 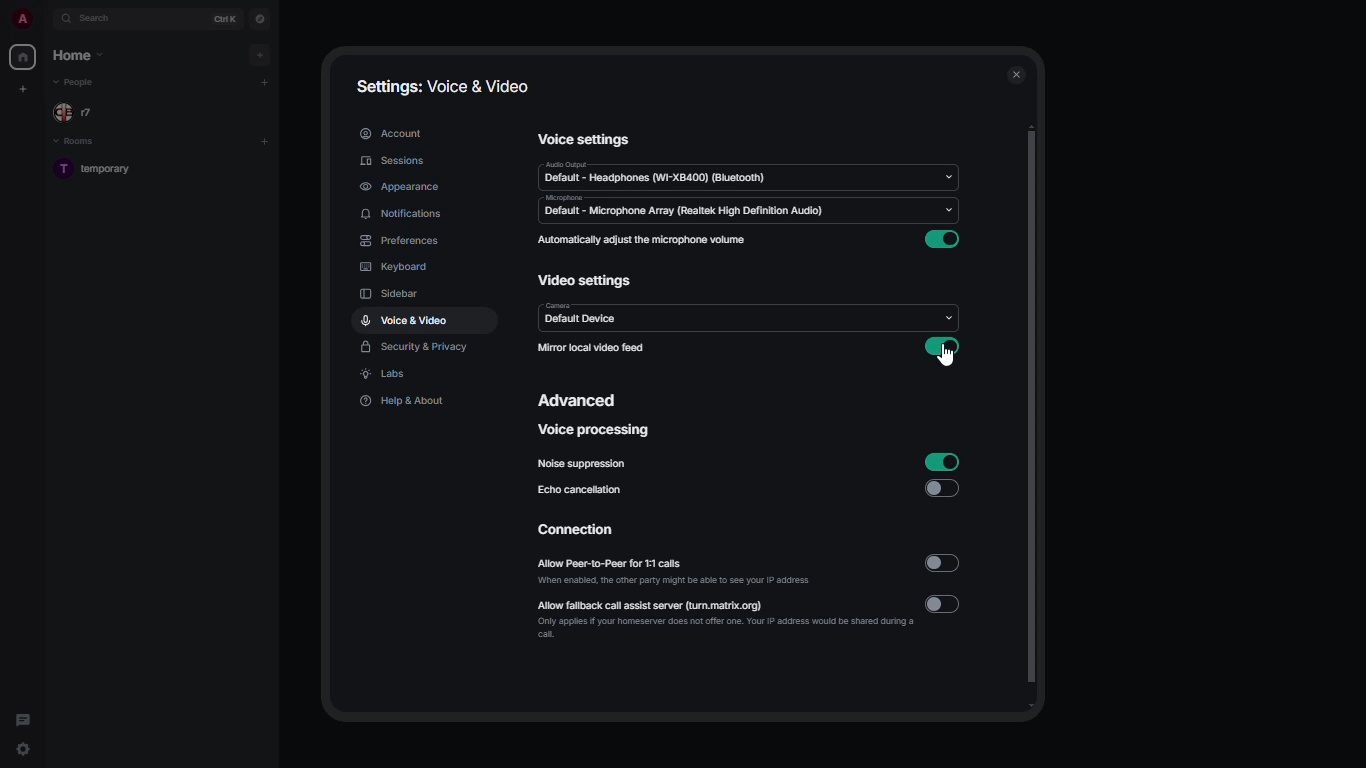 What do you see at coordinates (389, 295) in the screenshot?
I see `sidebar` at bounding box center [389, 295].